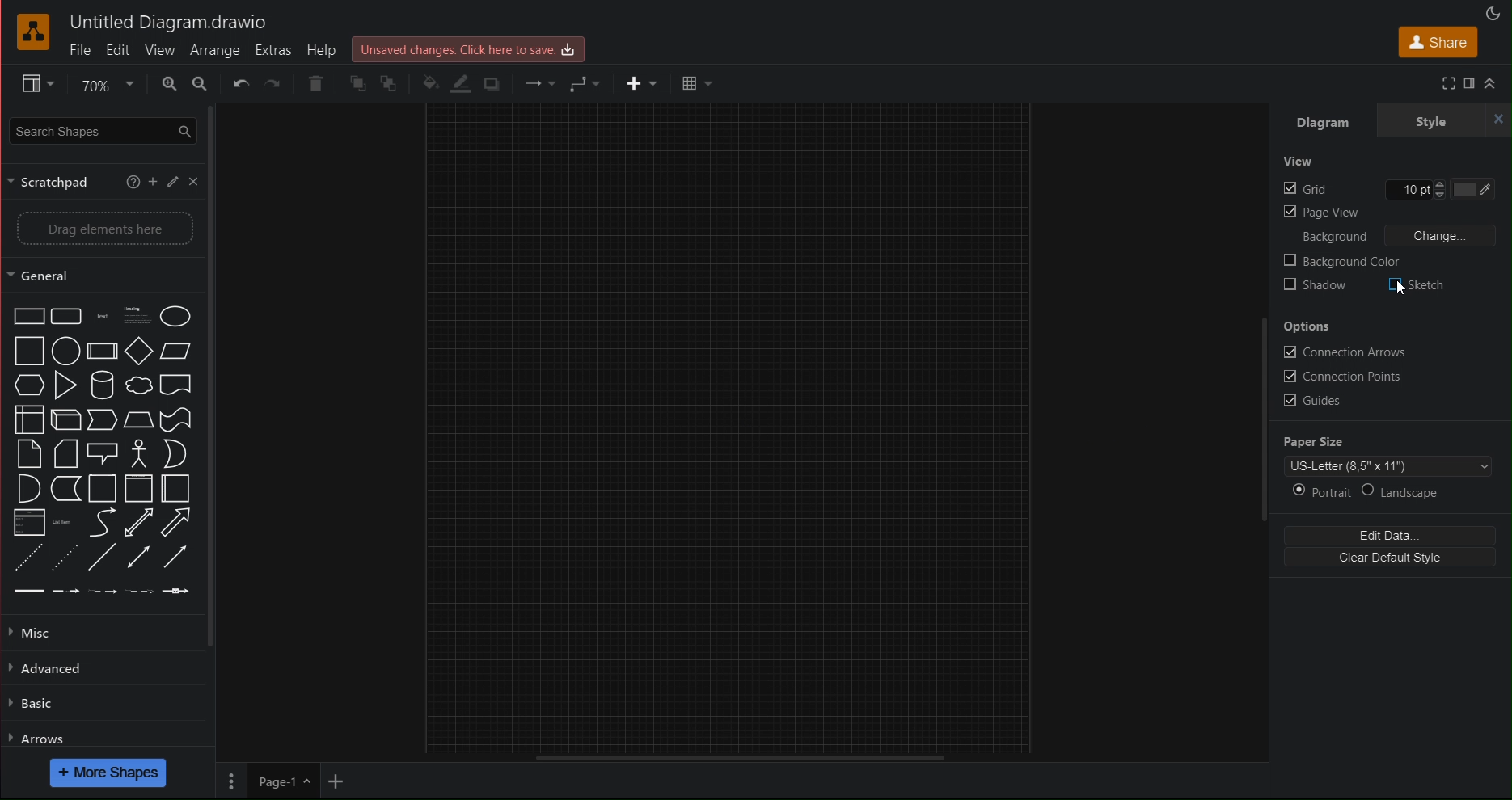 The width and height of the screenshot is (1512, 800). Describe the element at coordinates (100, 133) in the screenshot. I see `Search Shapes` at that location.